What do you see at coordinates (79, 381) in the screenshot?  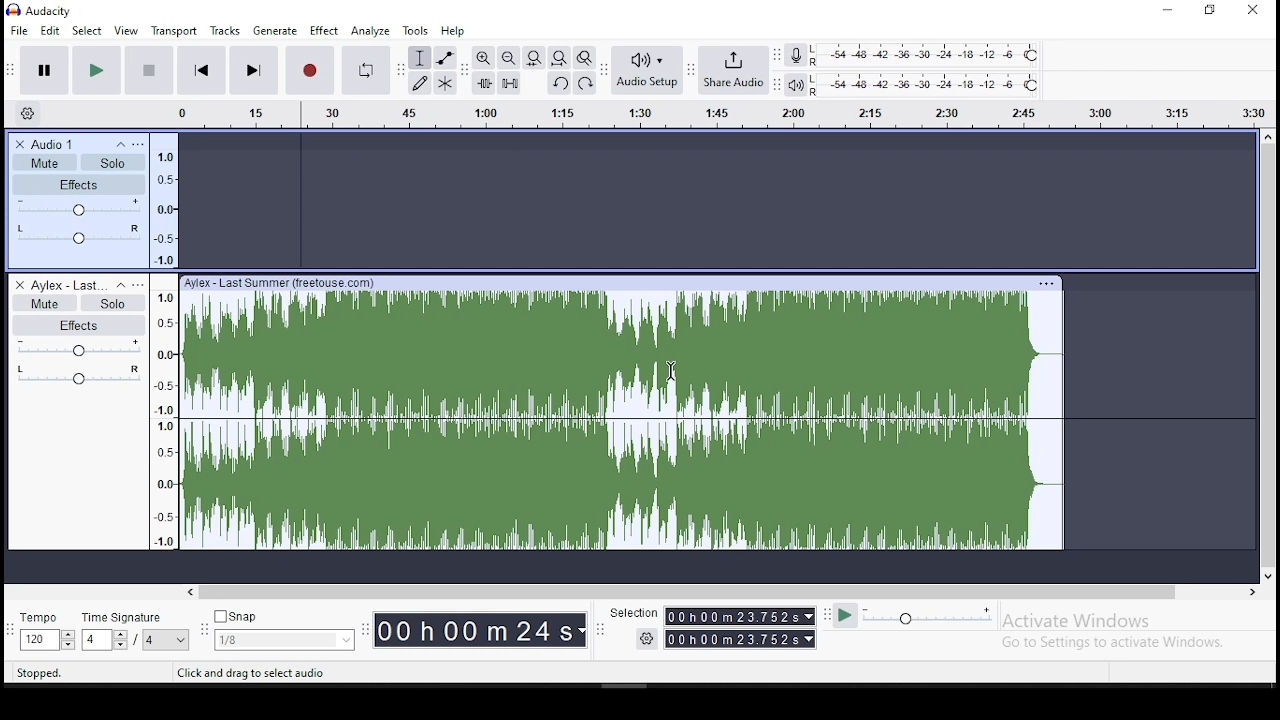 I see `audio effect` at bounding box center [79, 381].